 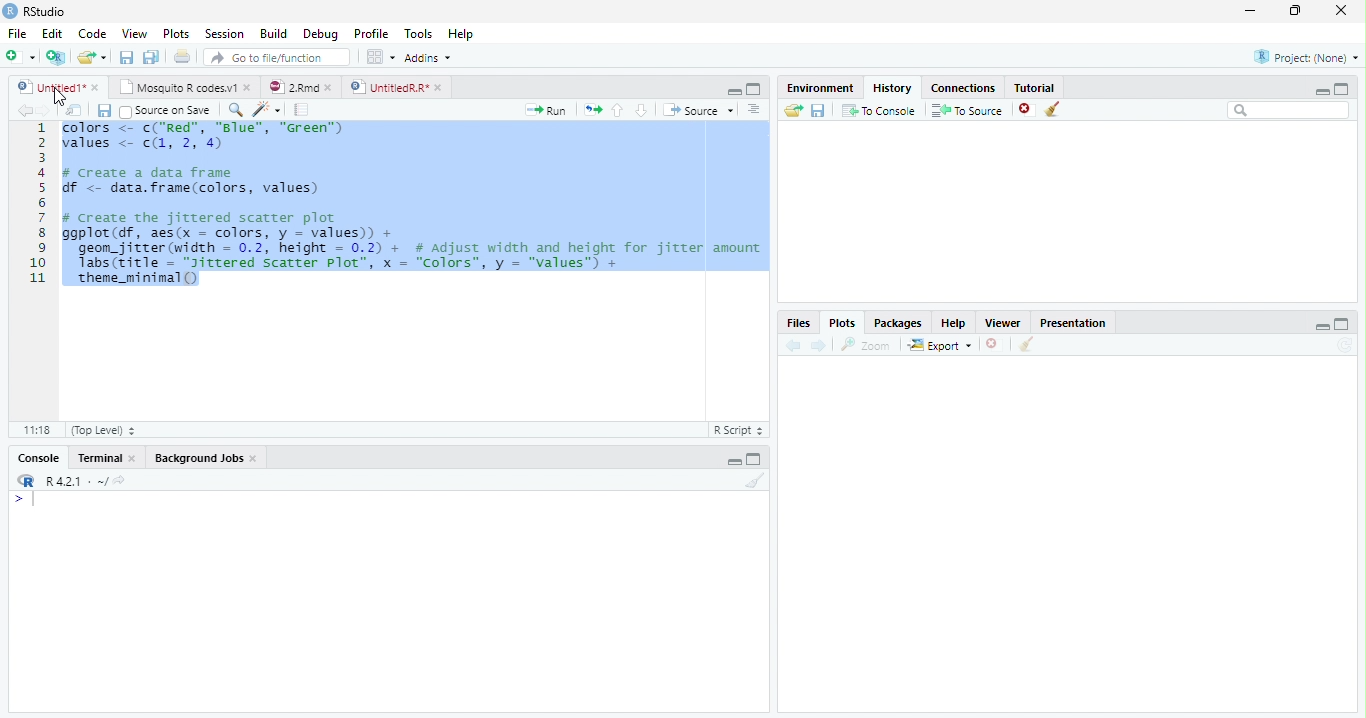 I want to click on 1:1, so click(x=36, y=430).